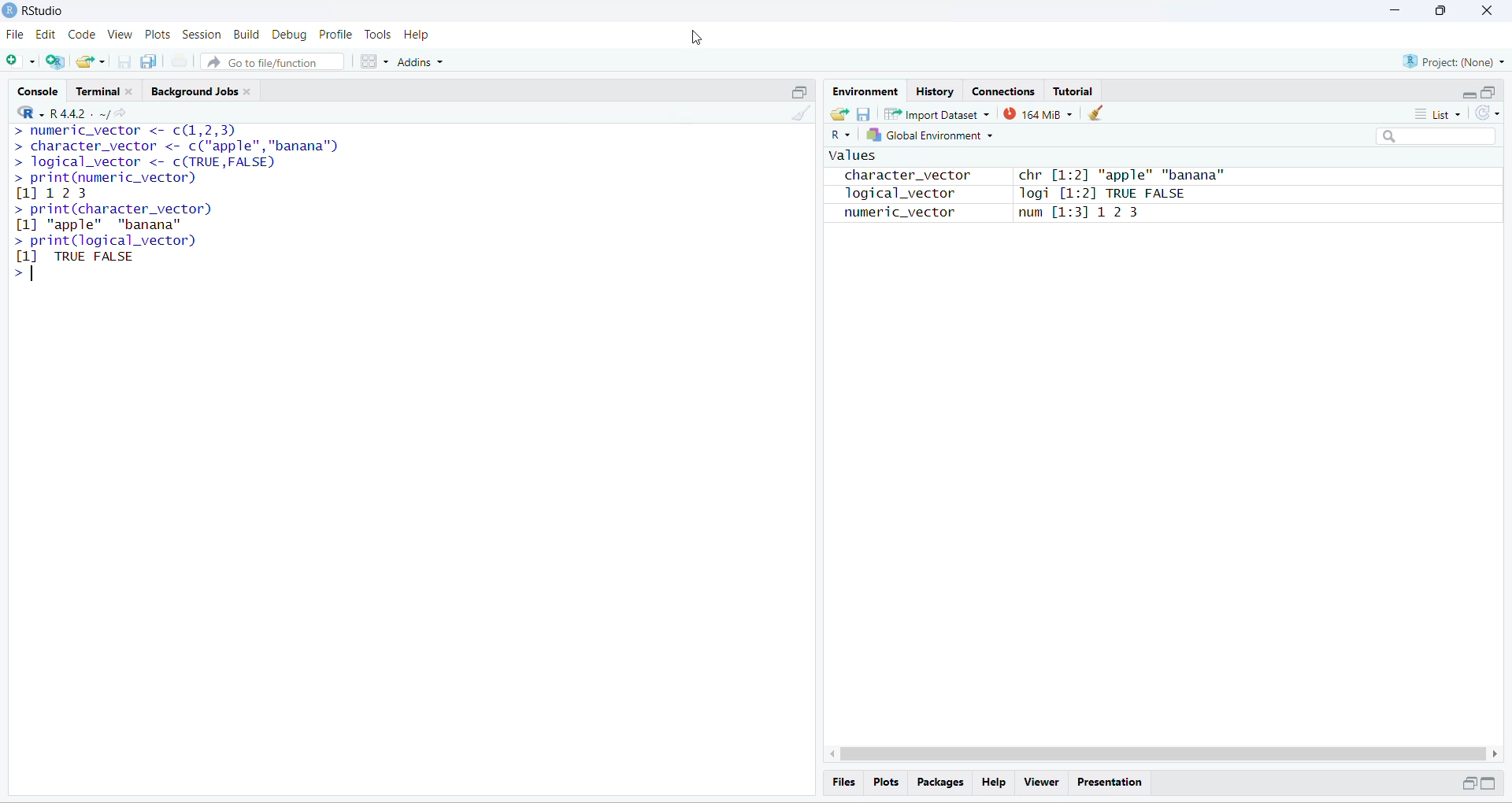 This screenshot has height=803, width=1512. I want to click on minimize, so click(1469, 96).